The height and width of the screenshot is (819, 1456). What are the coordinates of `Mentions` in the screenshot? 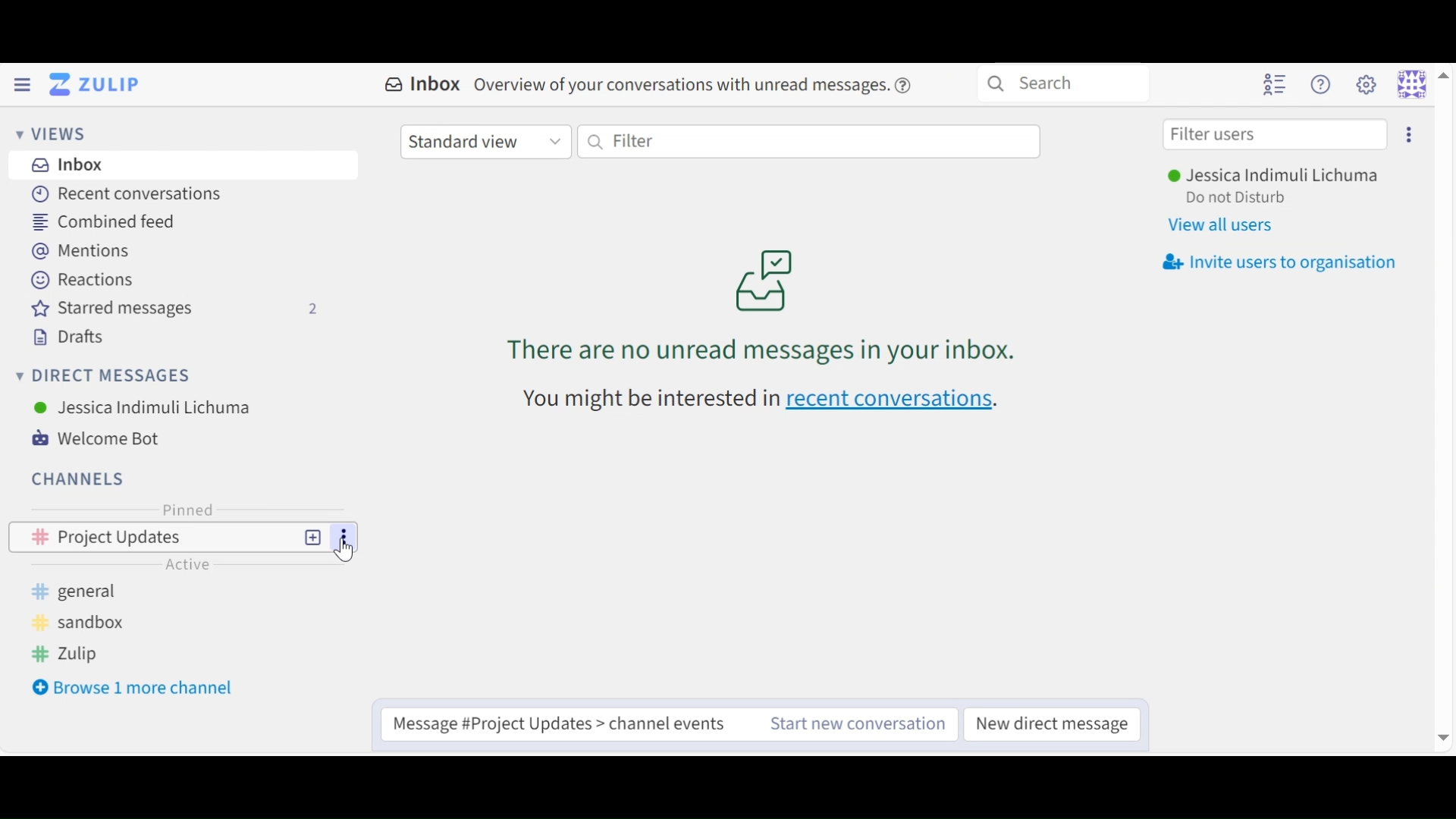 It's located at (90, 252).